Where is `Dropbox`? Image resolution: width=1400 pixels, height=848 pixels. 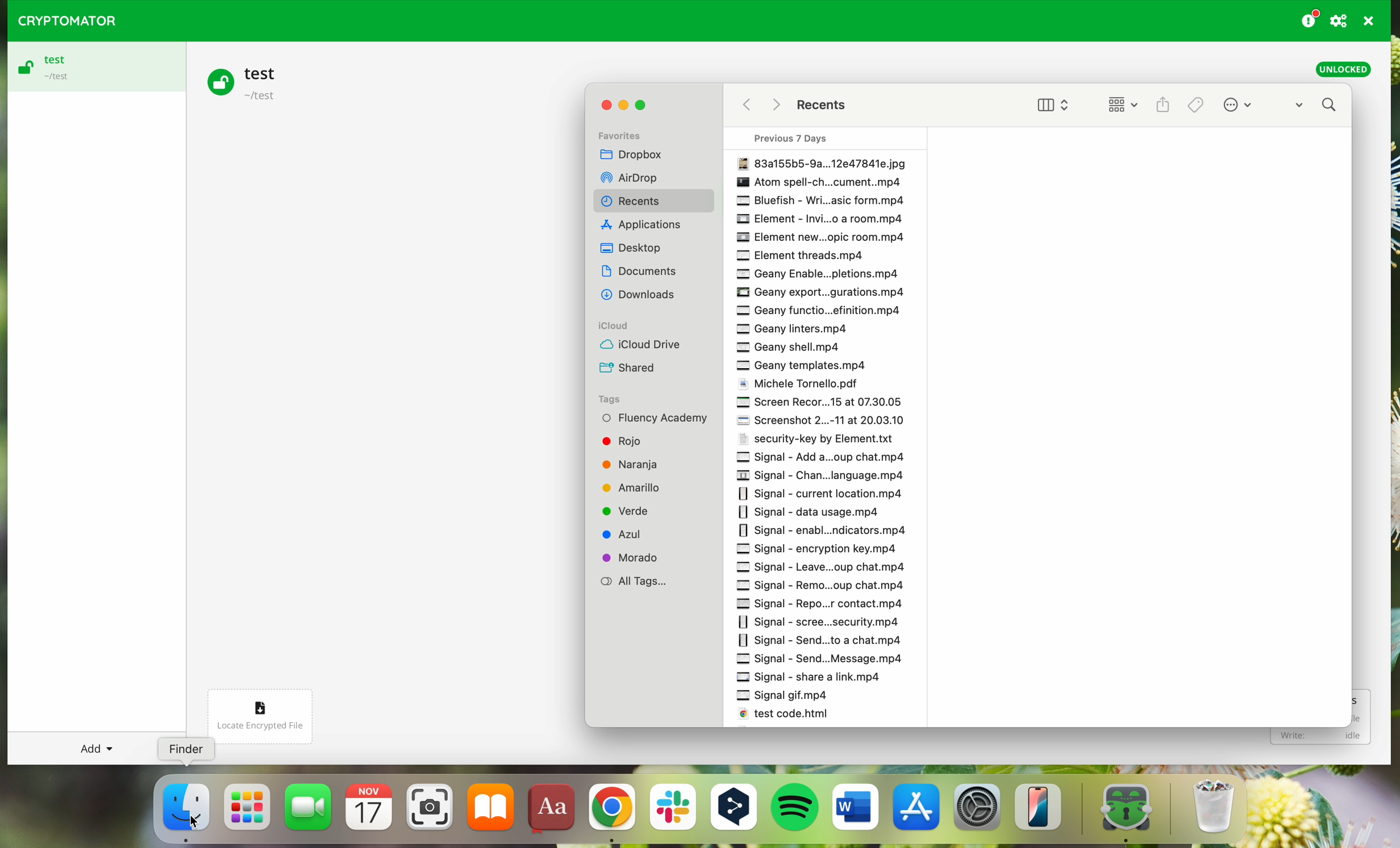 Dropbox is located at coordinates (639, 153).